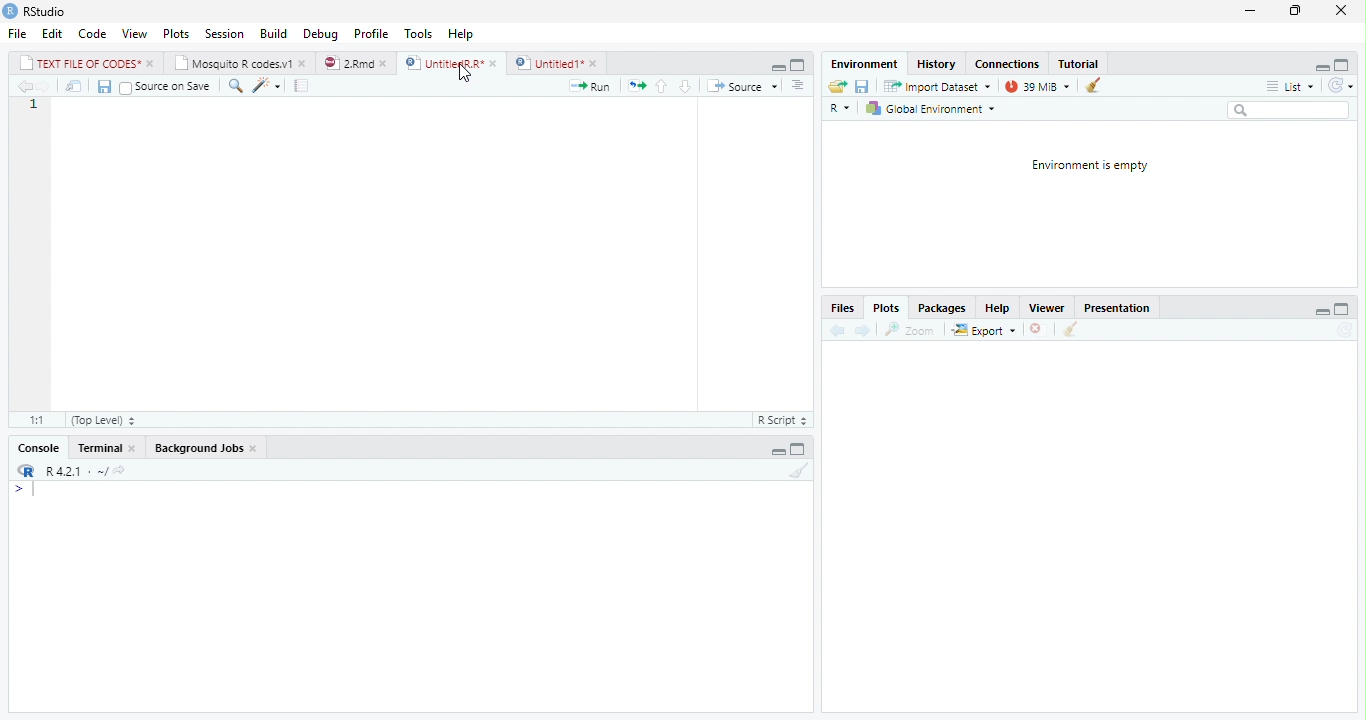 The image size is (1366, 720). What do you see at coordinates (451, 62) in the screenshot?
I see `UntitiedR.R* ` at bounding box center [451, 62].